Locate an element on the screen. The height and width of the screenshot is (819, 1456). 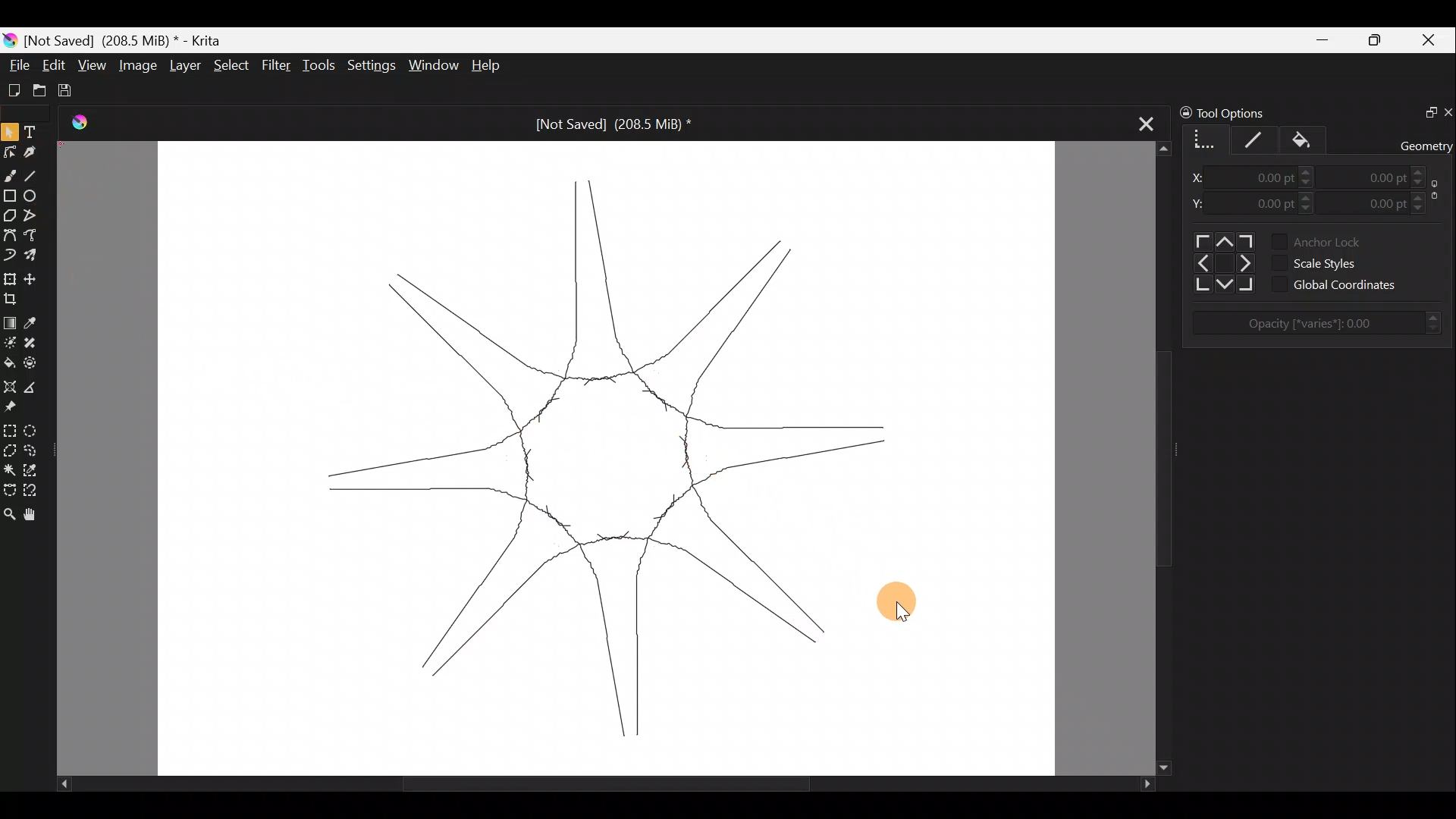
Decrease is located at coordinates (1429, 183).